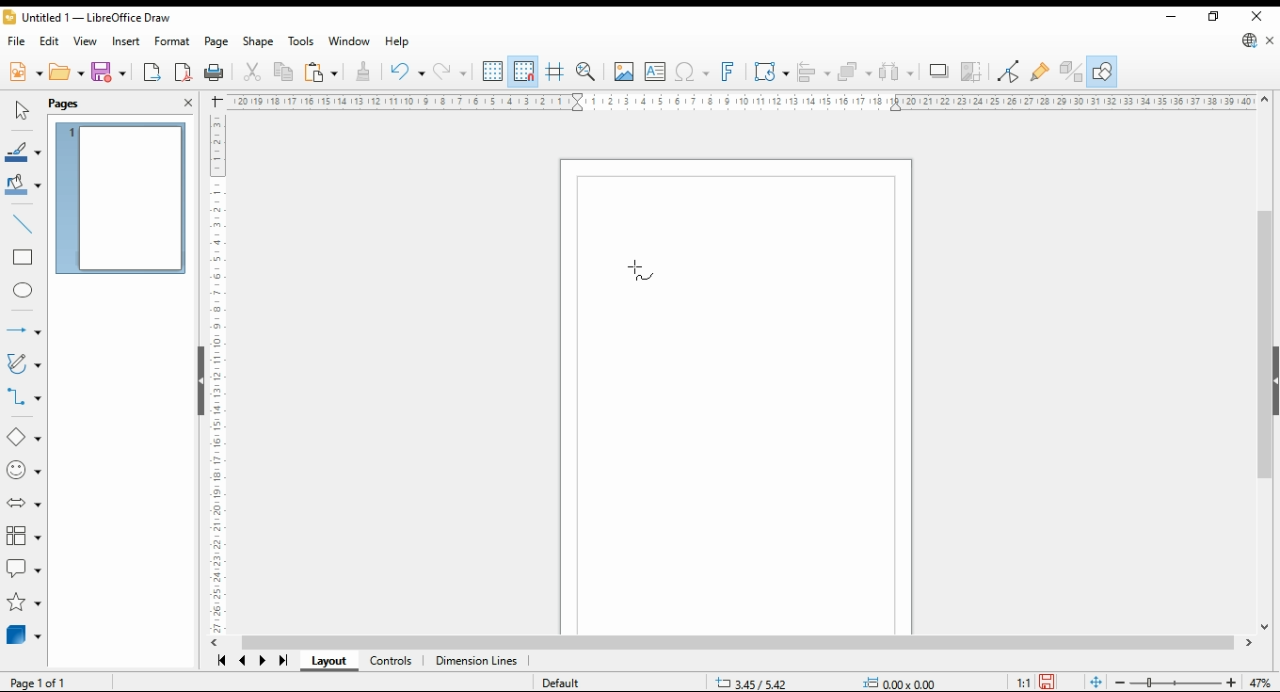 This screenshot has height=692, width=1280. Describe the element at coordinates (22, 396) in the screenshot. I see `connectors` at that location.